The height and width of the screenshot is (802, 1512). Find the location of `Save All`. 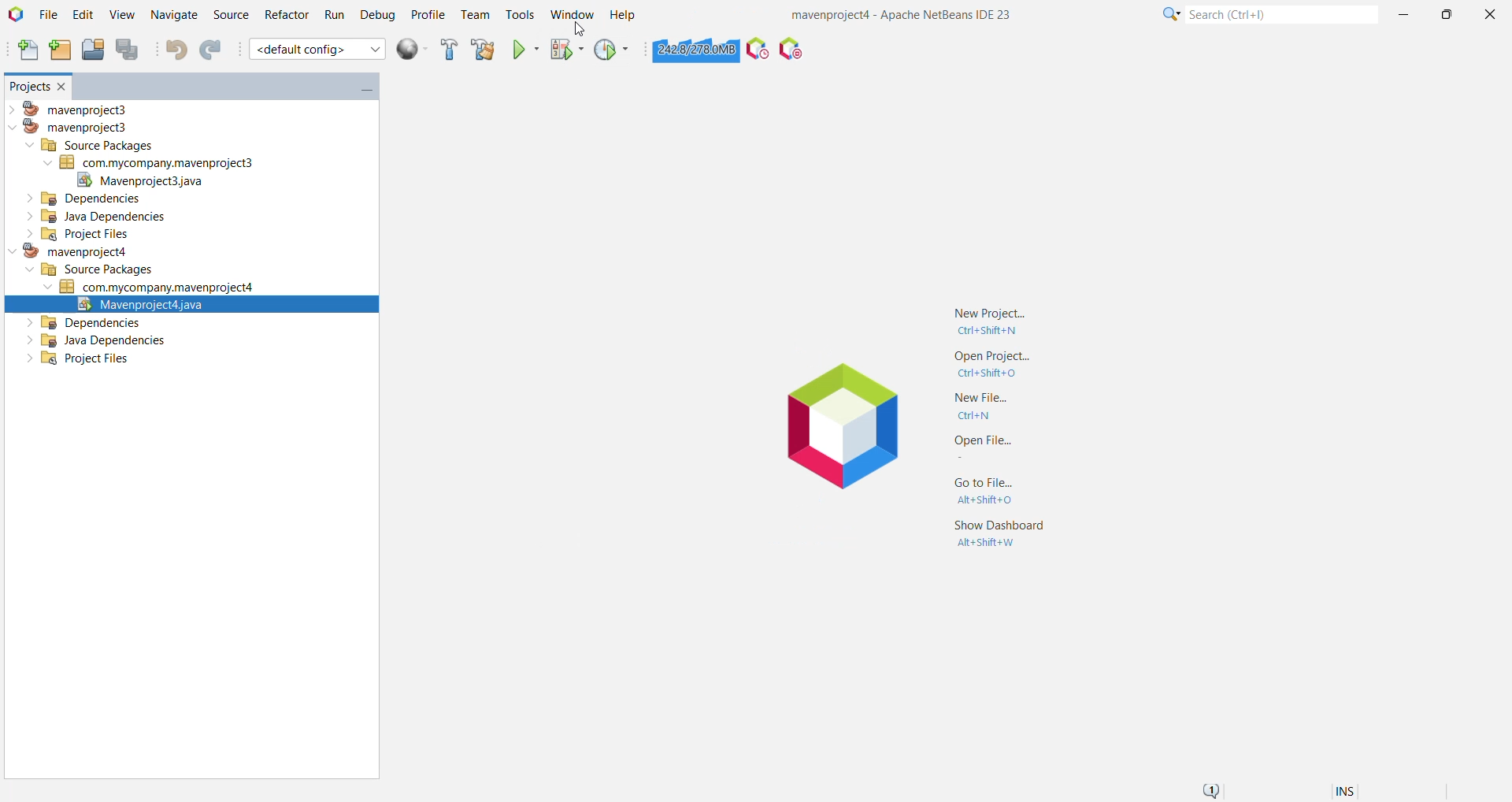

Save All is located at coordinates (130, 51).